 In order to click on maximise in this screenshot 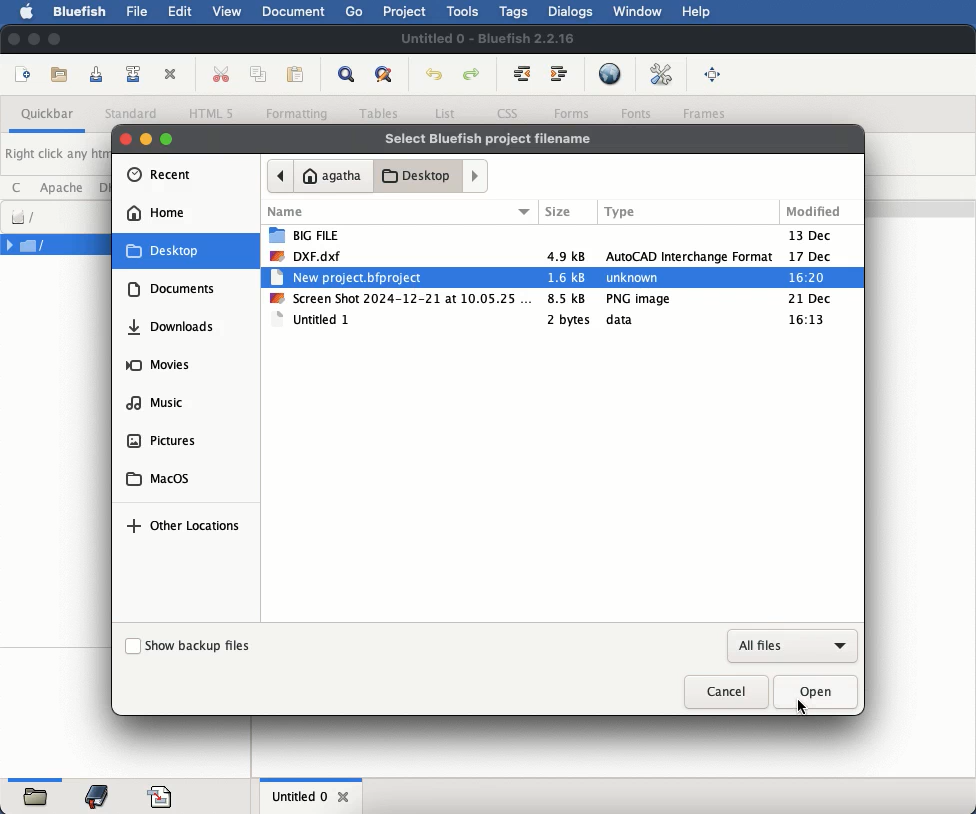, I will do `click(165, 136)`.